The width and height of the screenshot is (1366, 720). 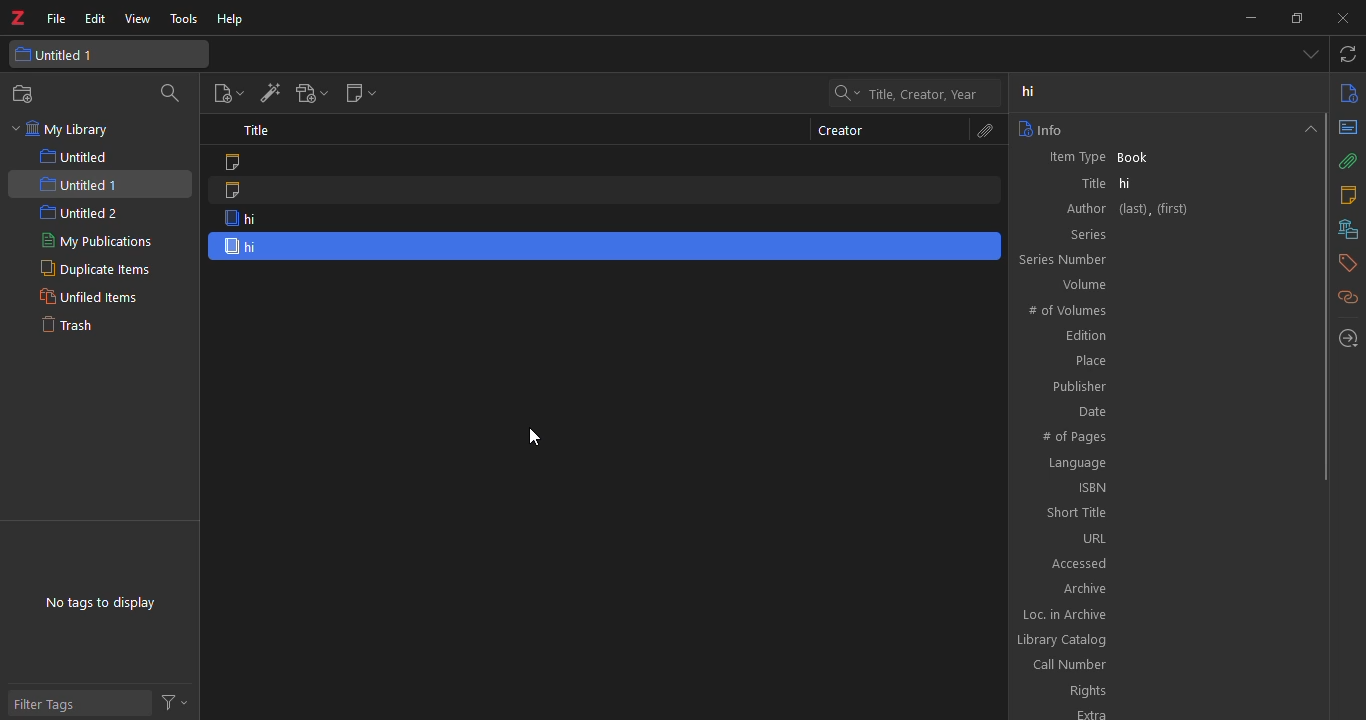 I want to click on # of volumes, so click(x=1069, y=310).